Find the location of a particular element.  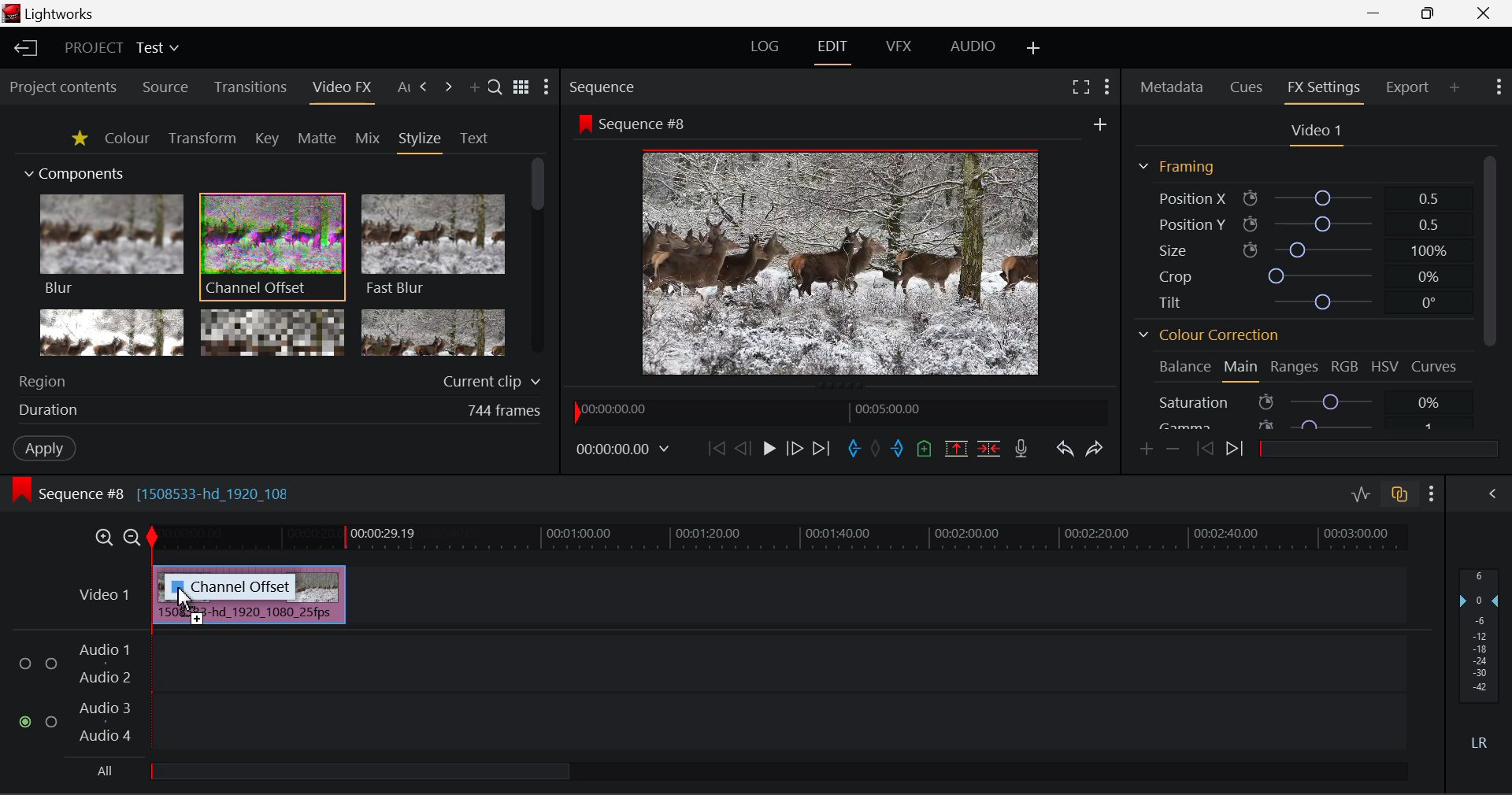

Toggle Audio Levels Editing is located at coordinates (1362, 495).